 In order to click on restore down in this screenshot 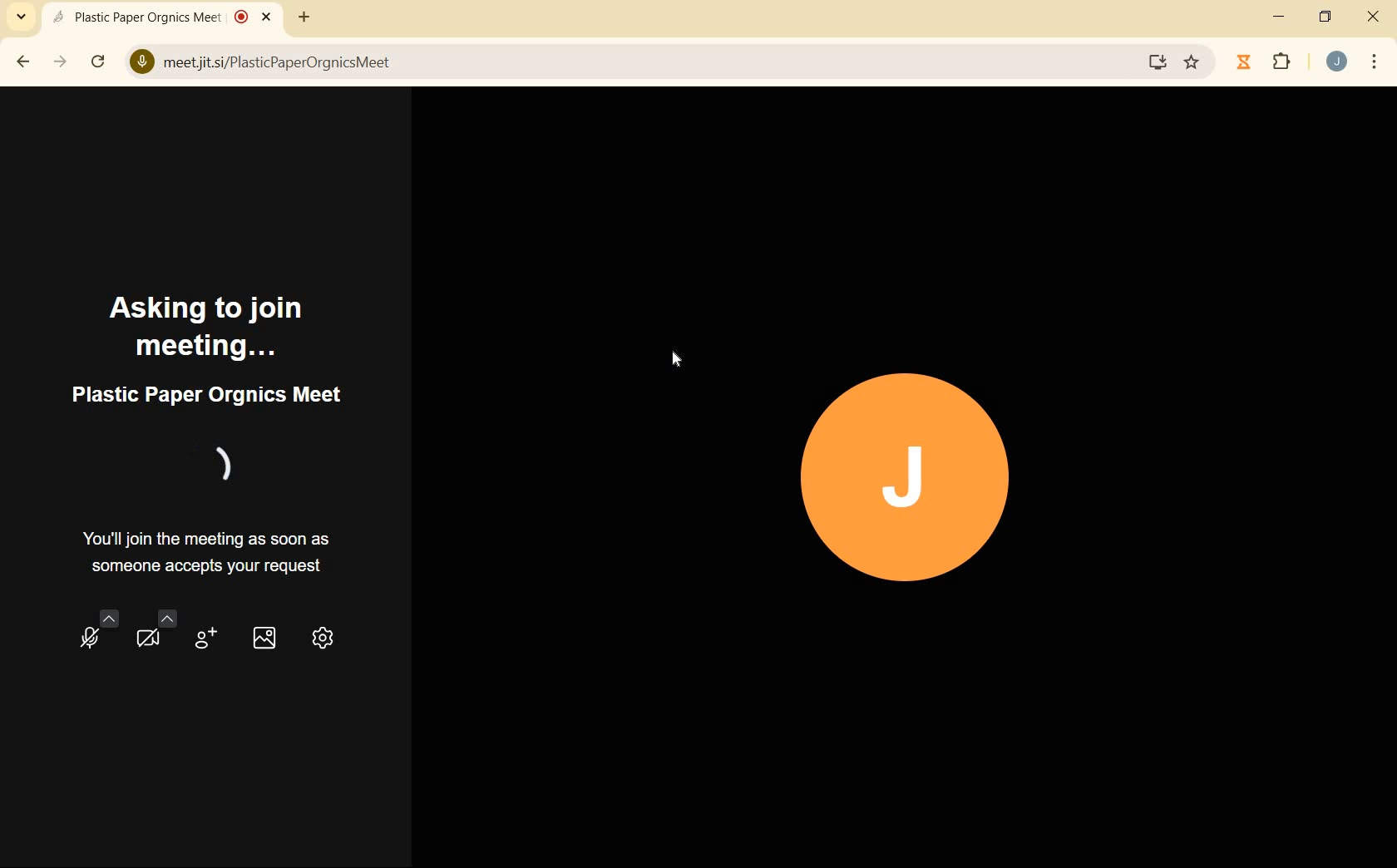, I will do `click(1327, 18)`.